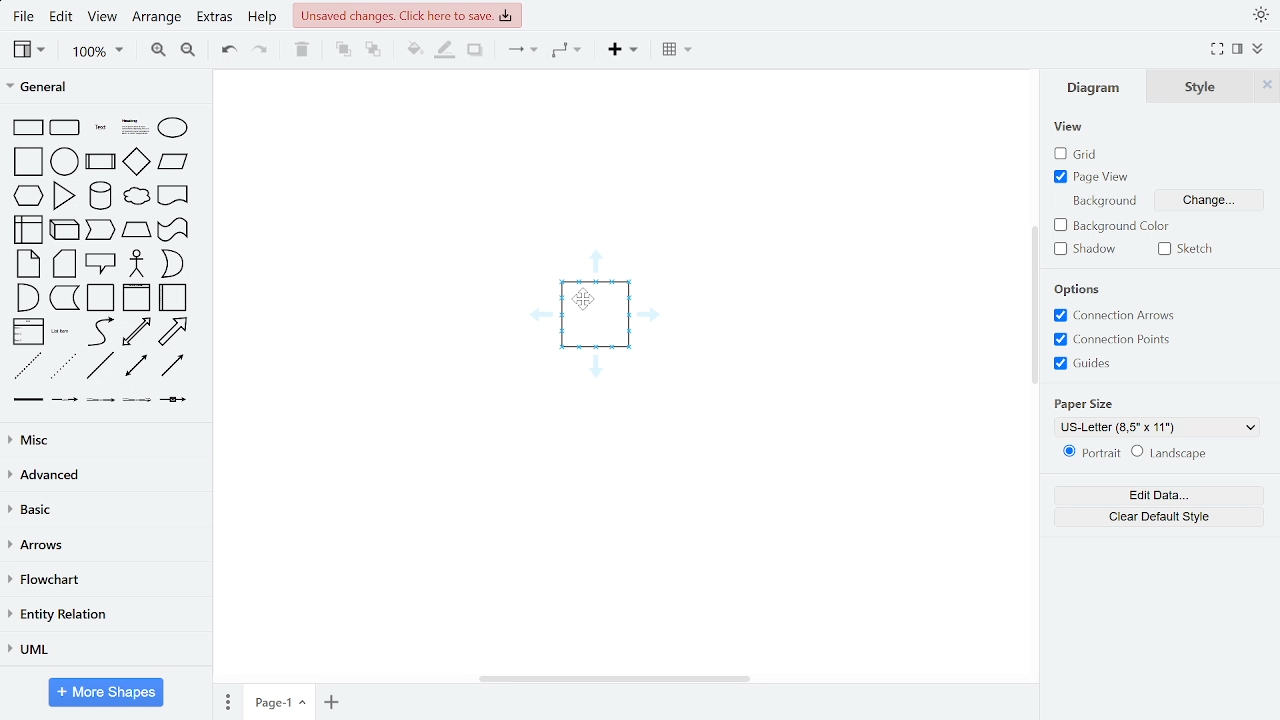 The height and width of the screenshot is (720, 1280). What do you see at coordinates (174, 400) in the screenshot?
I see `` at bounding box center [174, 400].